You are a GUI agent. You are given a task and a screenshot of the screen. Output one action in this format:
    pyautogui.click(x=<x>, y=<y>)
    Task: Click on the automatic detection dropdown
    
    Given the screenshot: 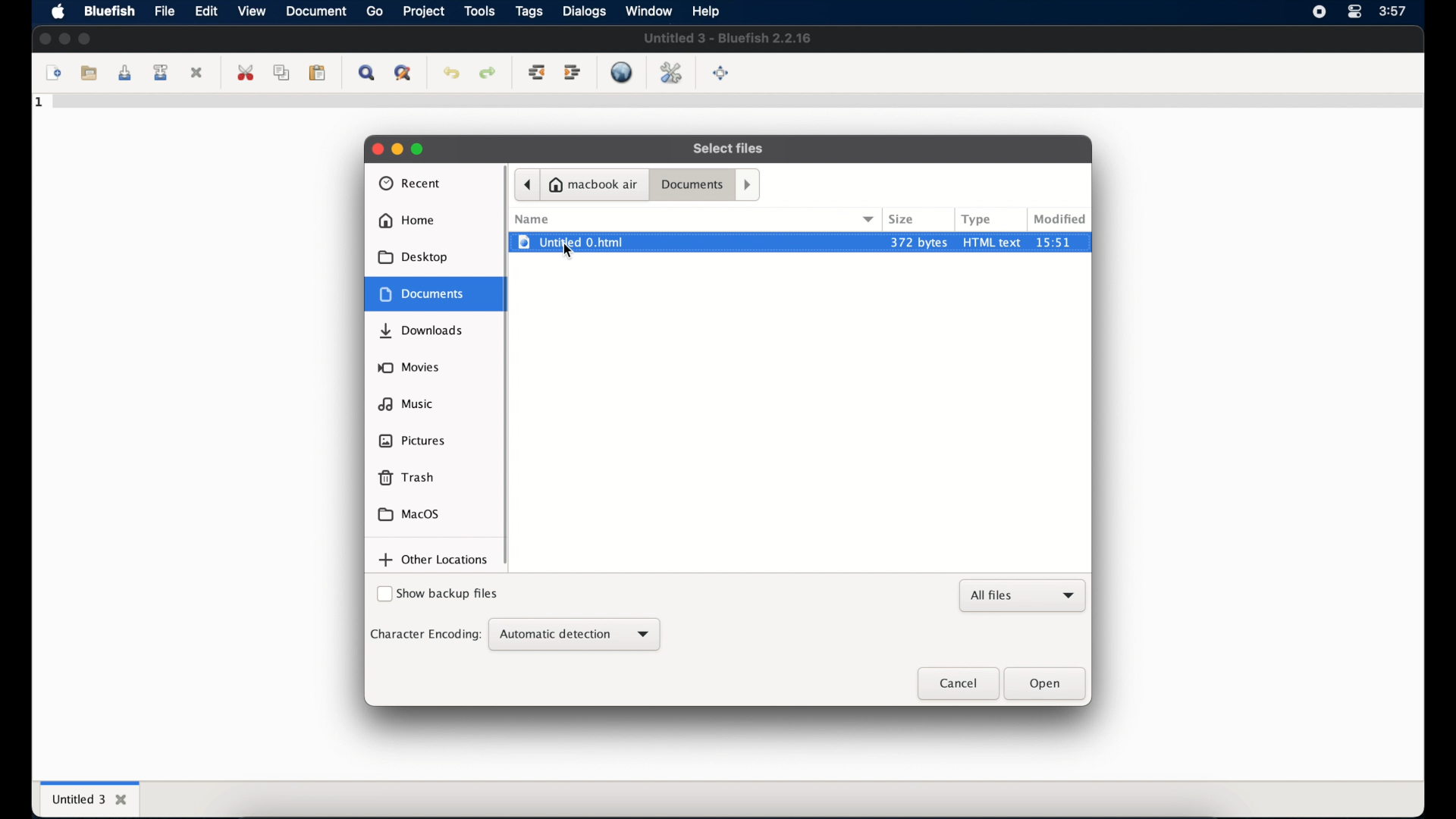 What is the action you would take?
    pyautogui.click(x=574, y=635)
    